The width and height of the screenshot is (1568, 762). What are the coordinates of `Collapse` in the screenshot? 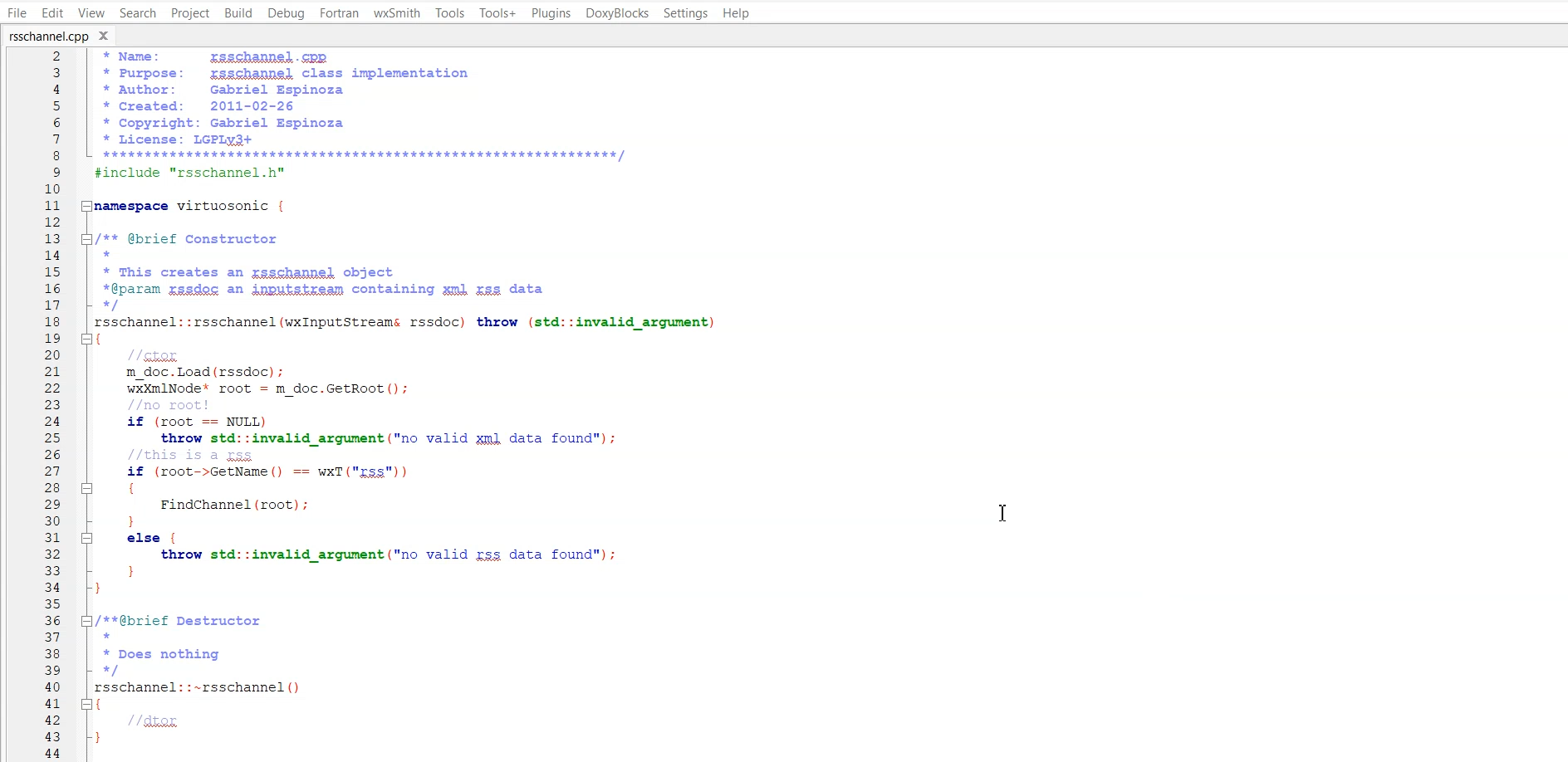 It's located at (86, 488).